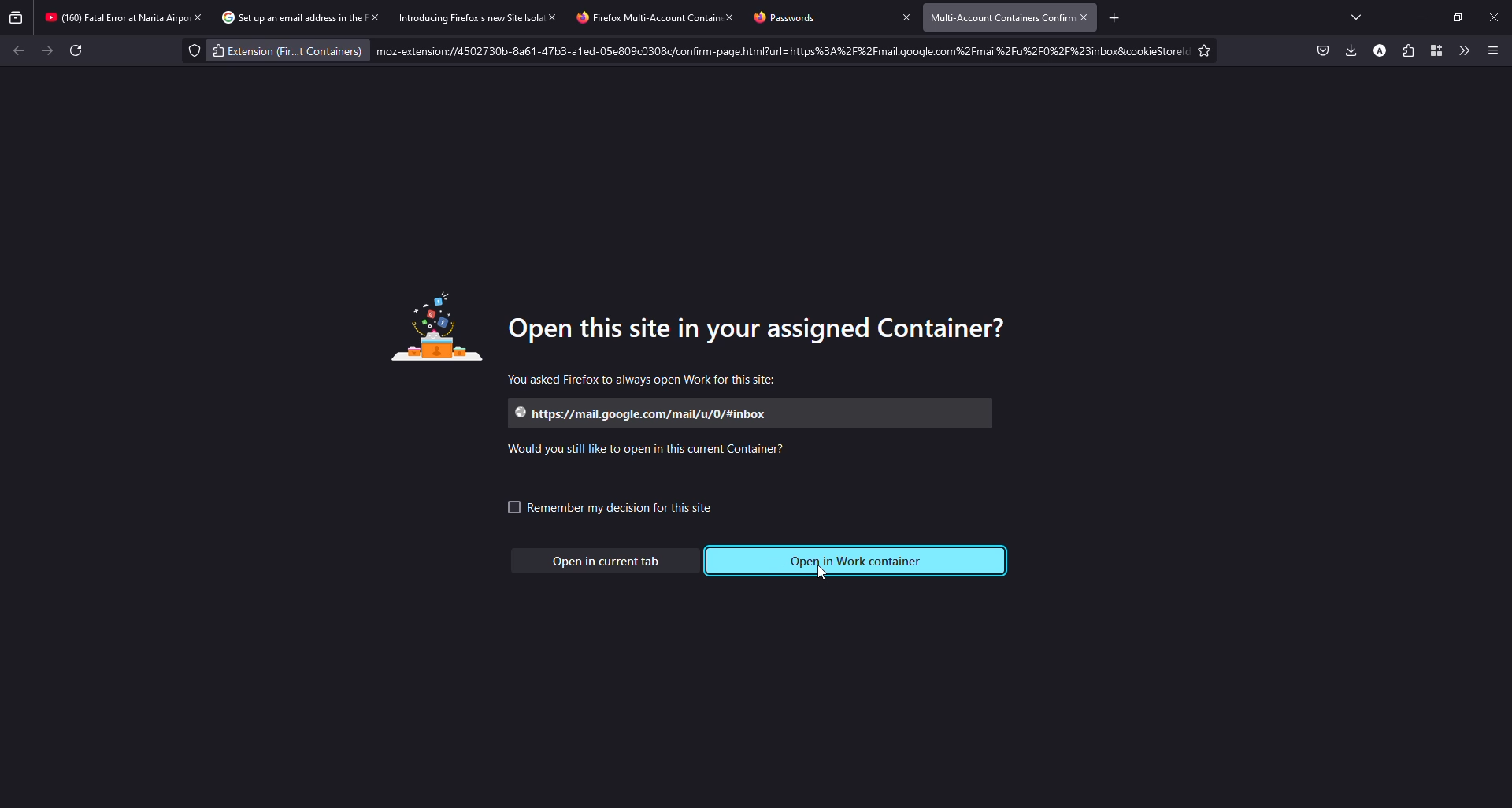 The width and height of the screenshot is (1512, 808). Describe the element at coordinates (825, 578) in the screenshot. I see `Cursor` at that location.